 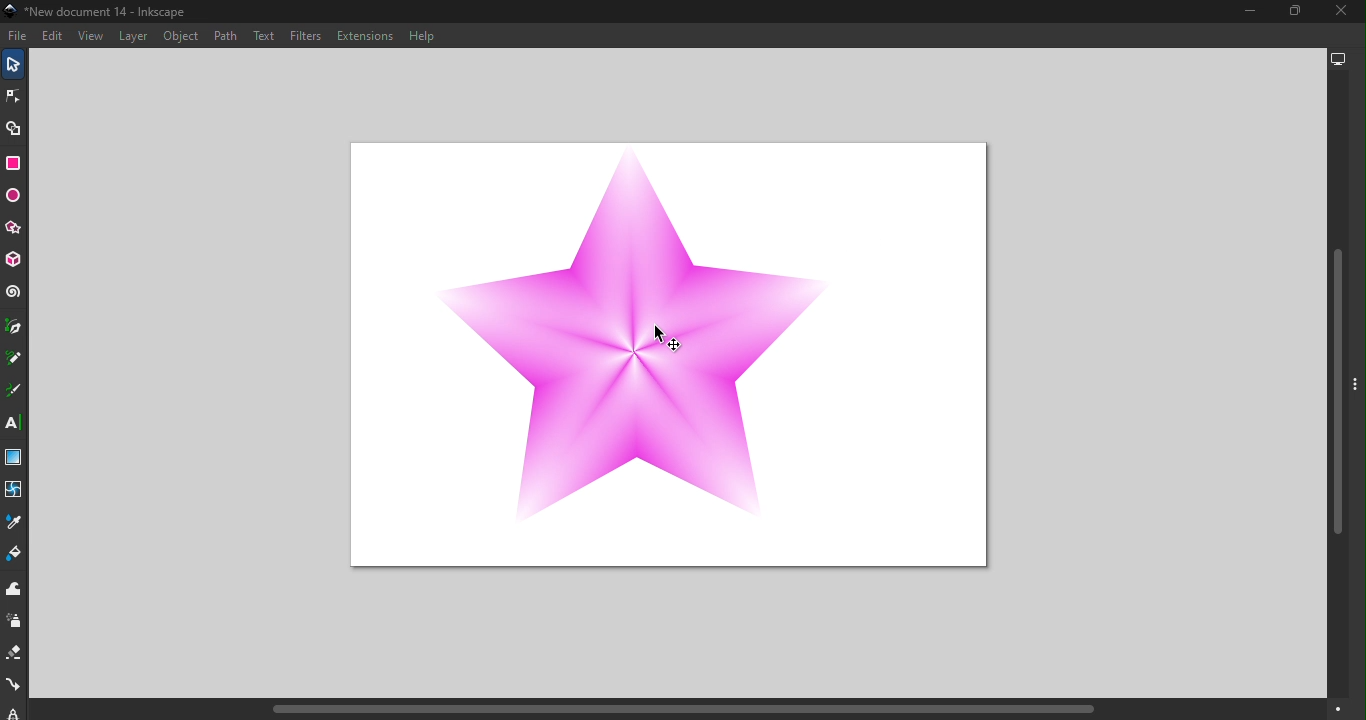 I want to click on Maximize, so click(x=1288, y=12).